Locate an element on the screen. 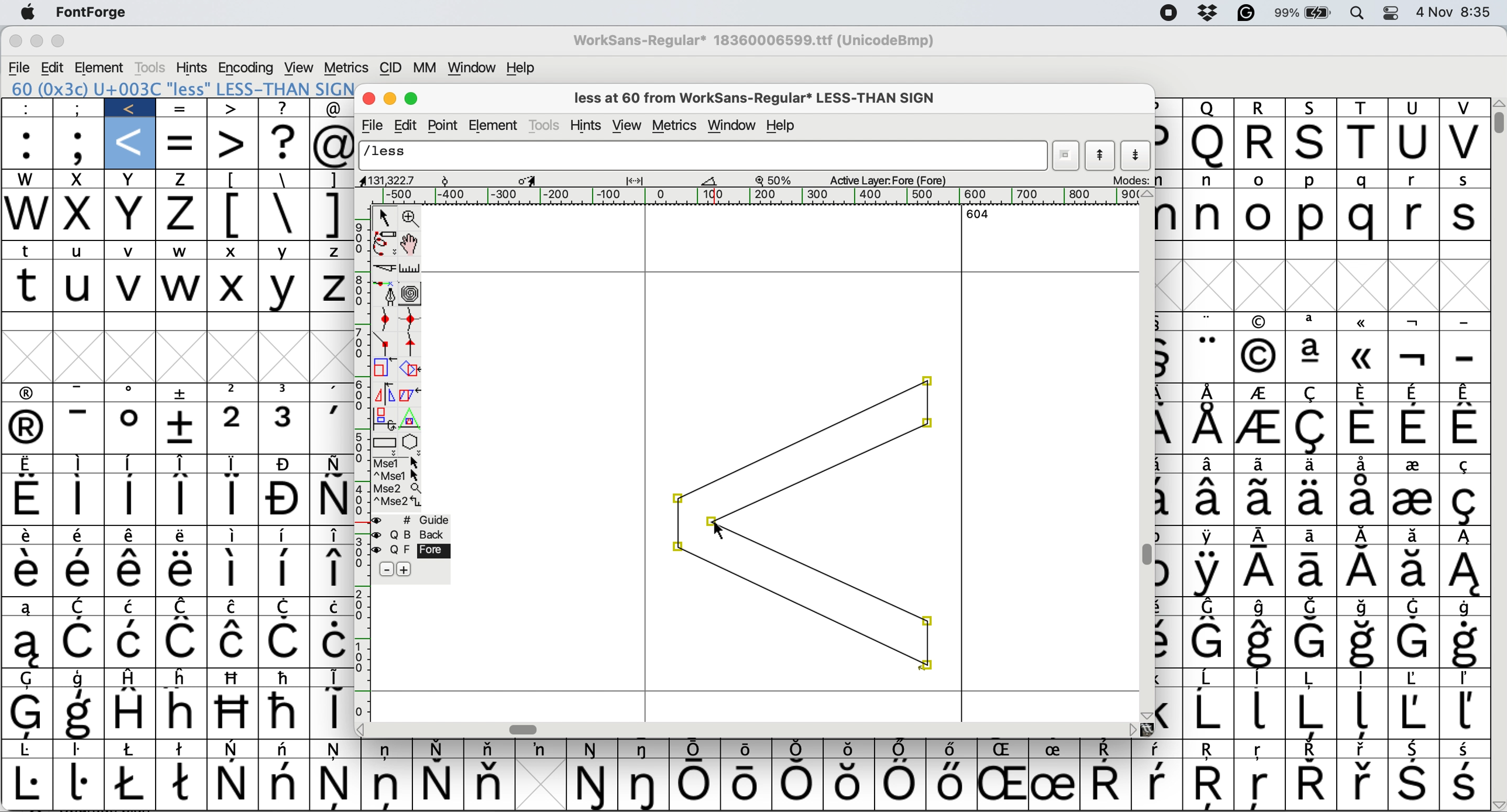 The height and width of the screenshot is (812, 1507). ? is located at coordinates (284, 142).